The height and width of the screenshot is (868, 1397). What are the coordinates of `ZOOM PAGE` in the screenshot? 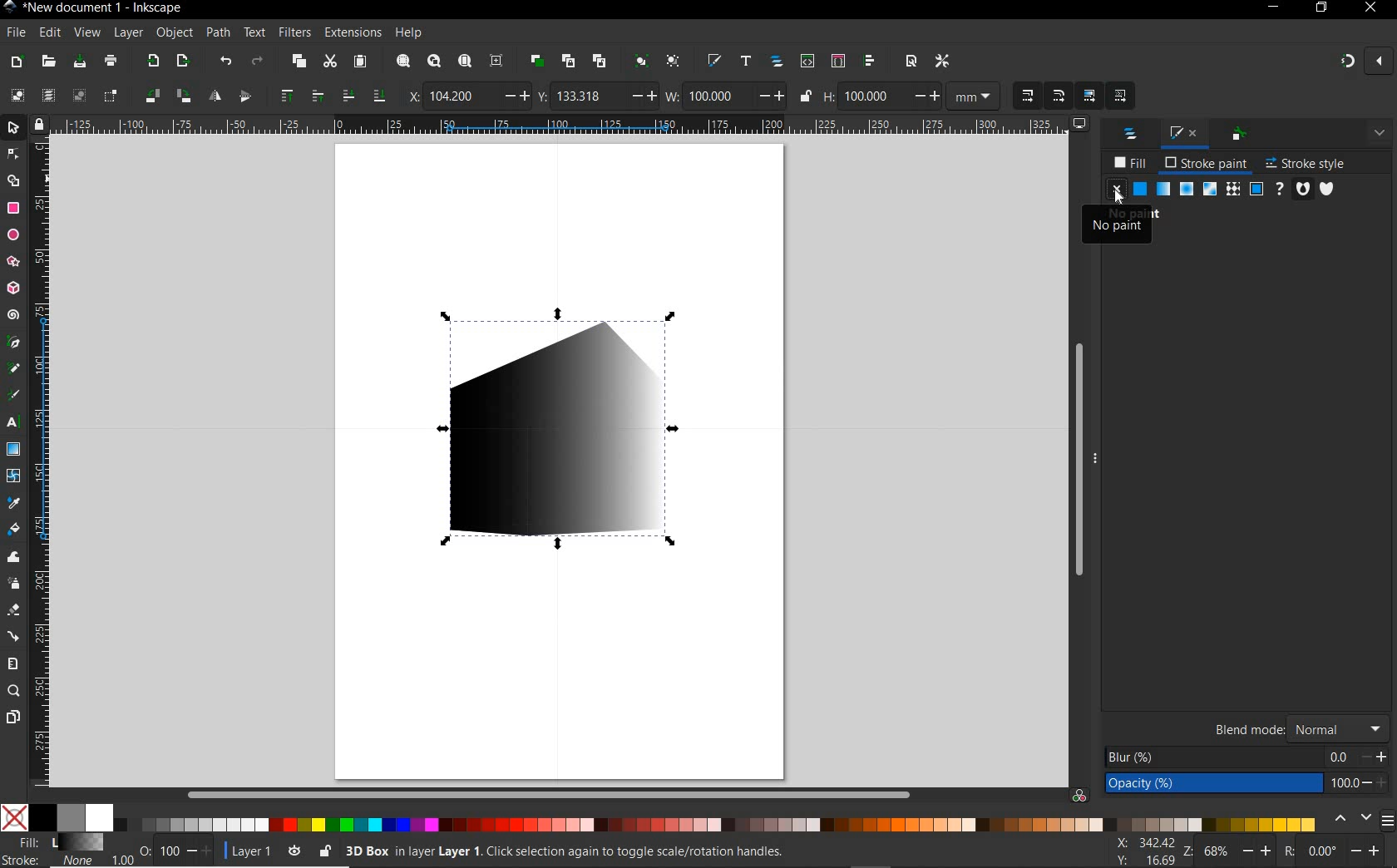 It's located at (466, 62).